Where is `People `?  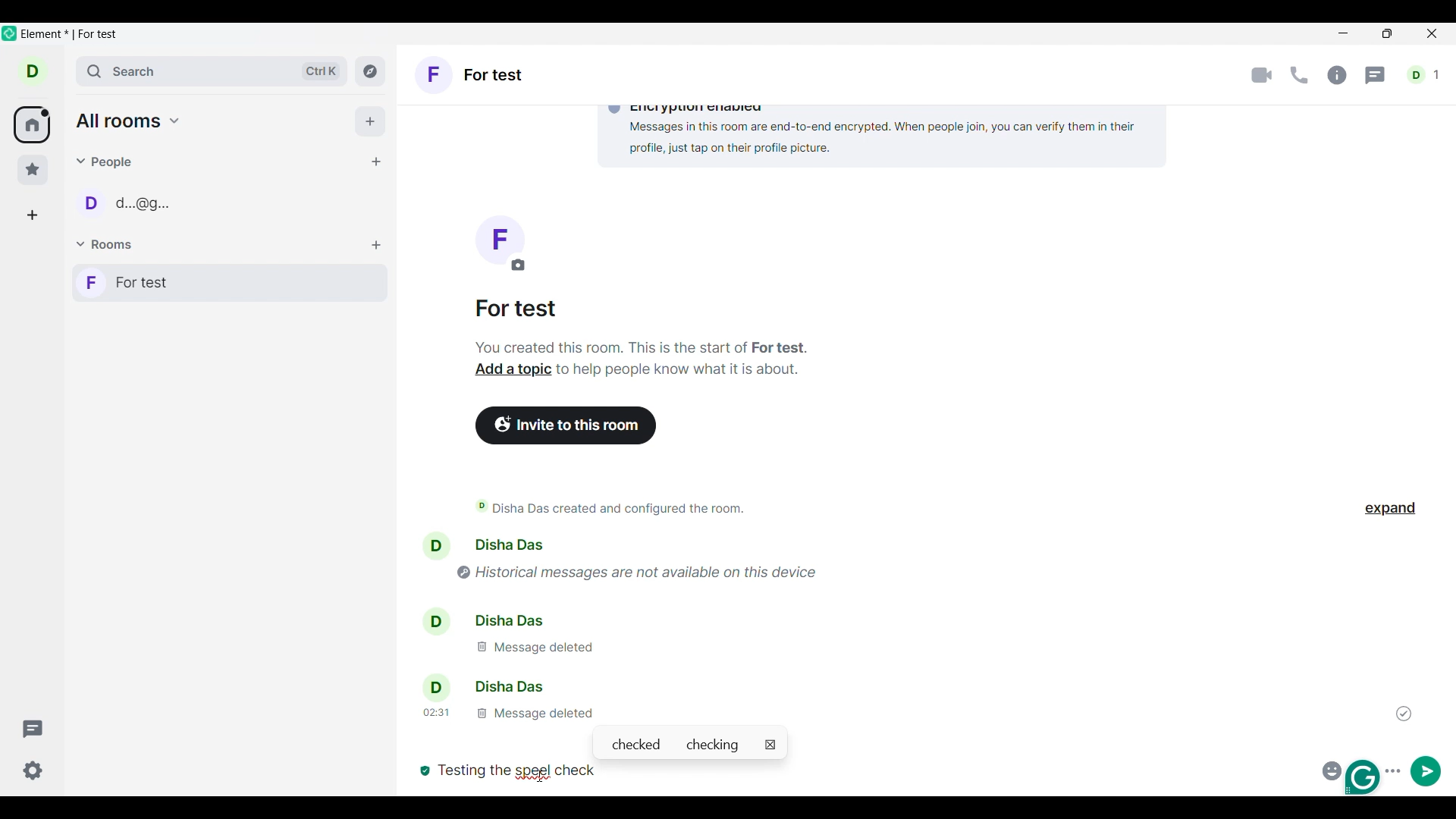 People  is located at coordinates (107, 162).